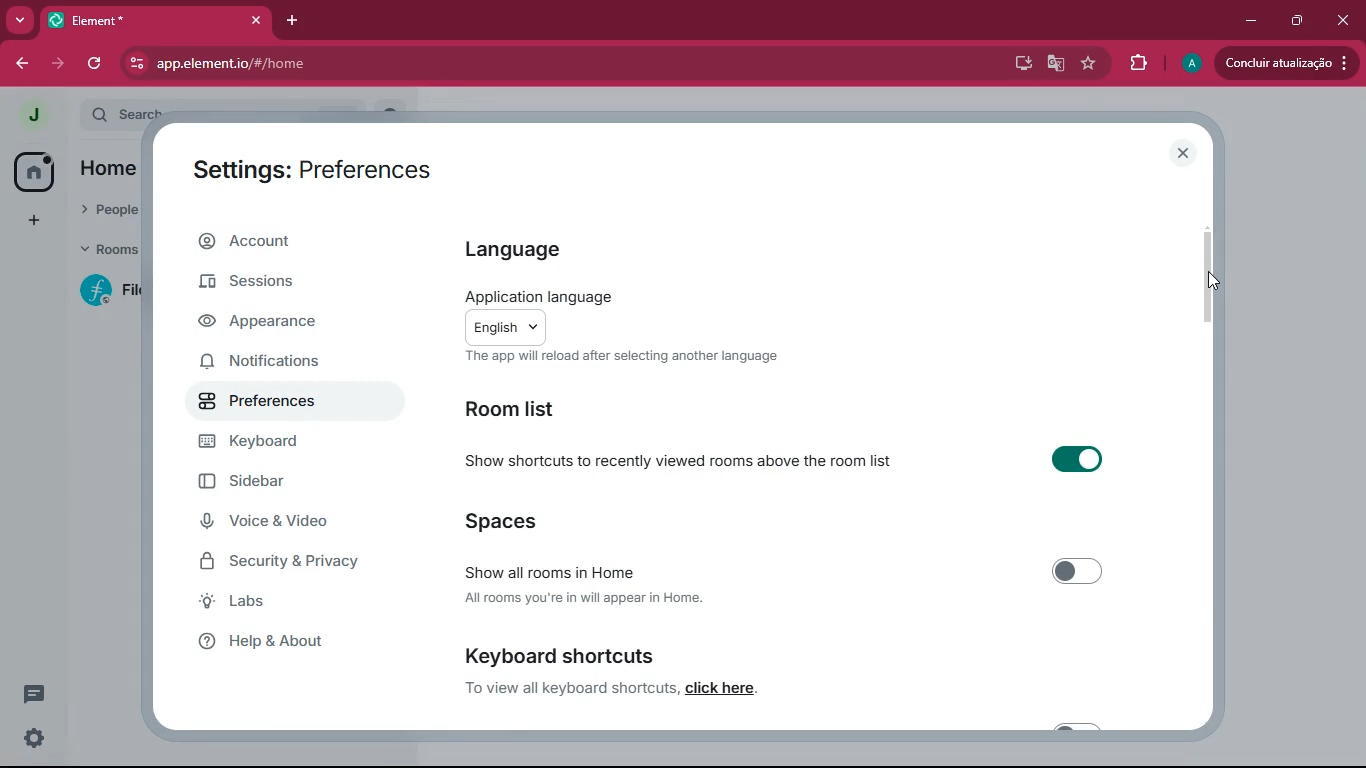 The height and width of the screenshot is (768, 1366). Describe the element at coordinates (313, 167) in the screenshot. I see `settings: preferences` at that location.